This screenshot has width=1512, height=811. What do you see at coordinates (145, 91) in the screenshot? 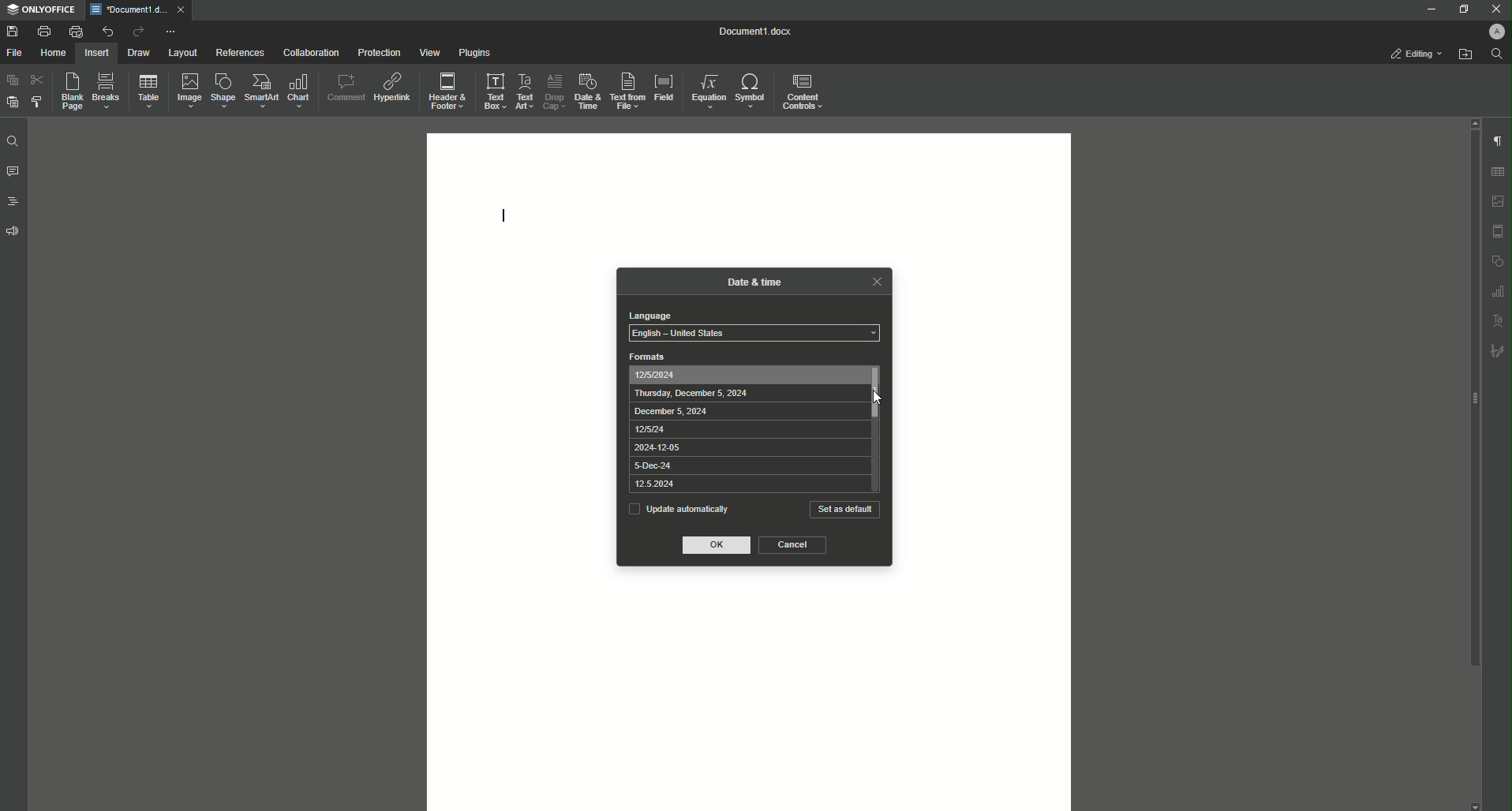
I see `Table` at bounding box center [145, 91].